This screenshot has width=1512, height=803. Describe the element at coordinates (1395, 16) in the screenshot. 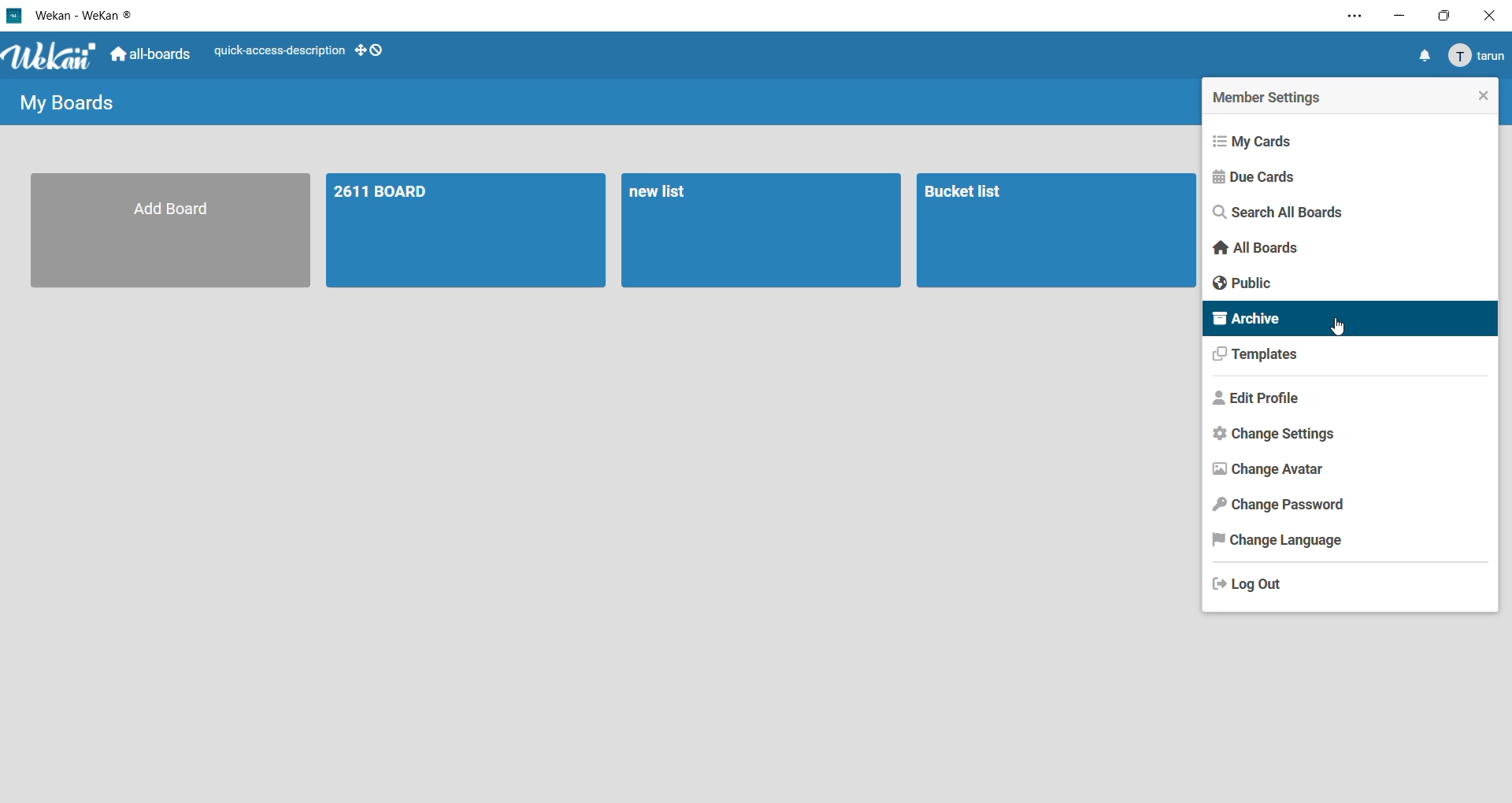

I see `minimize` at that location.